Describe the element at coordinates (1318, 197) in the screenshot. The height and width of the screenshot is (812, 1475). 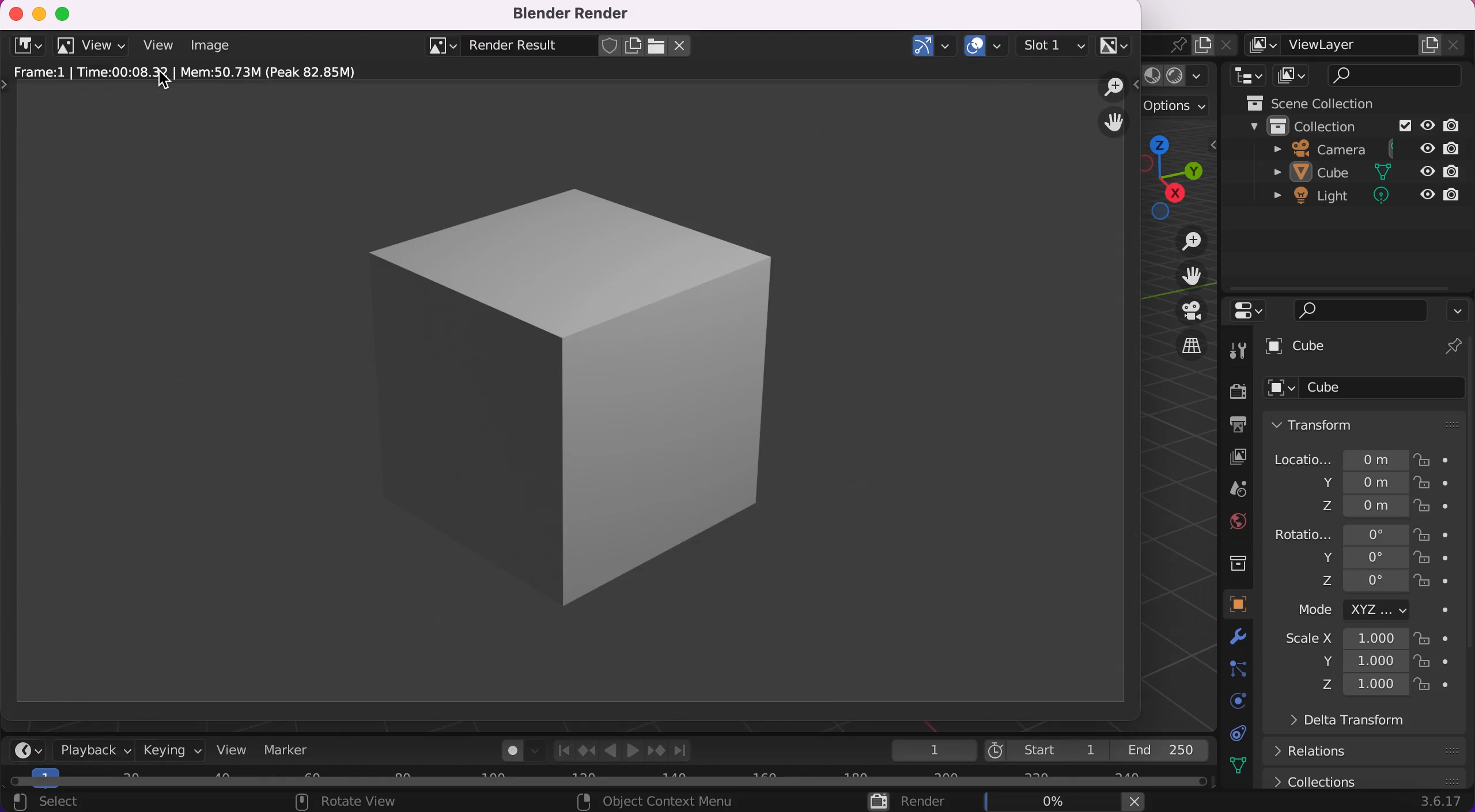
I see `light` at that location.